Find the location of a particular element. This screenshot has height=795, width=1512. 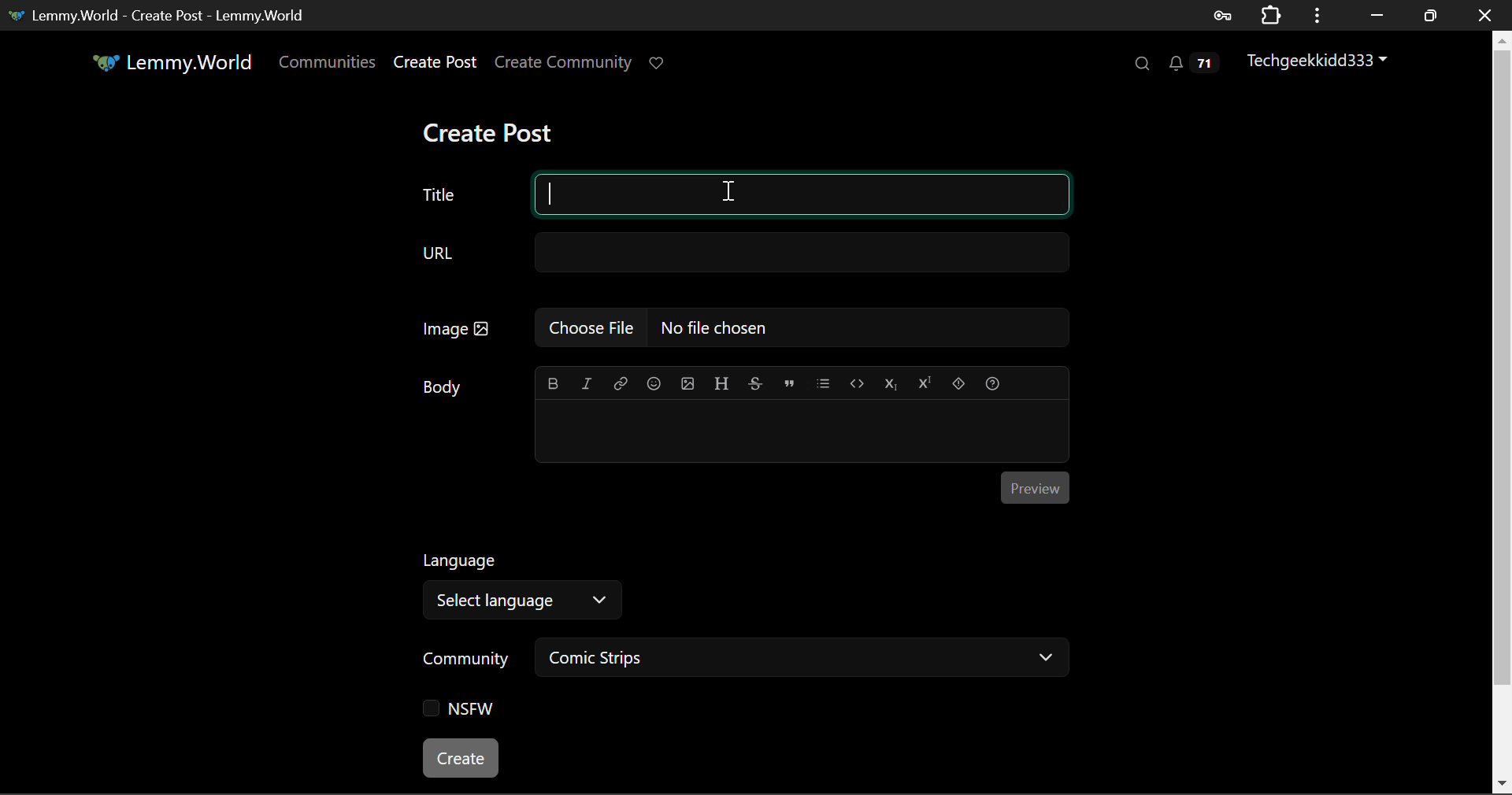

Close Window is located at coordinates (1484, 13).